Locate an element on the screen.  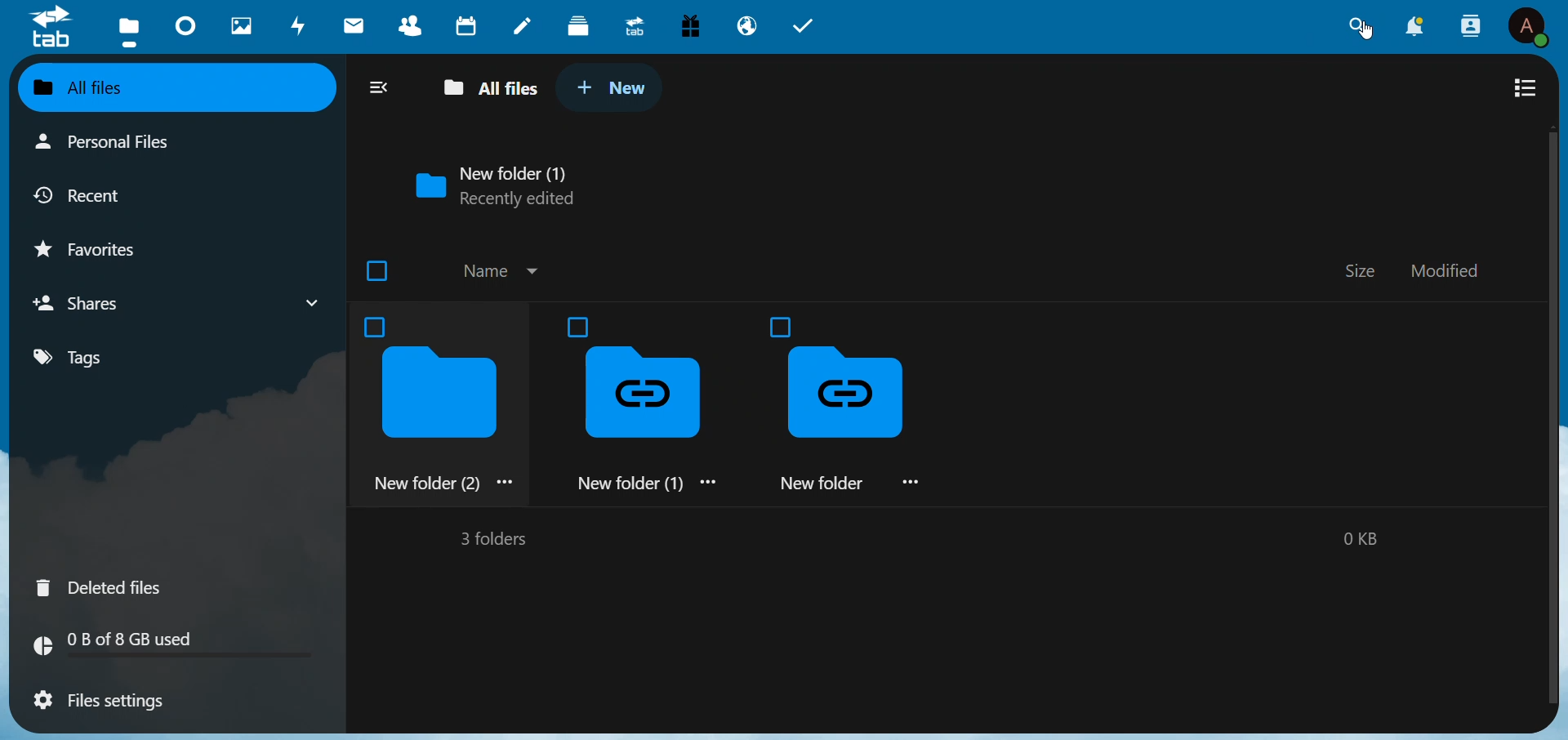
0 kb is located at coordinates (1359, 536).